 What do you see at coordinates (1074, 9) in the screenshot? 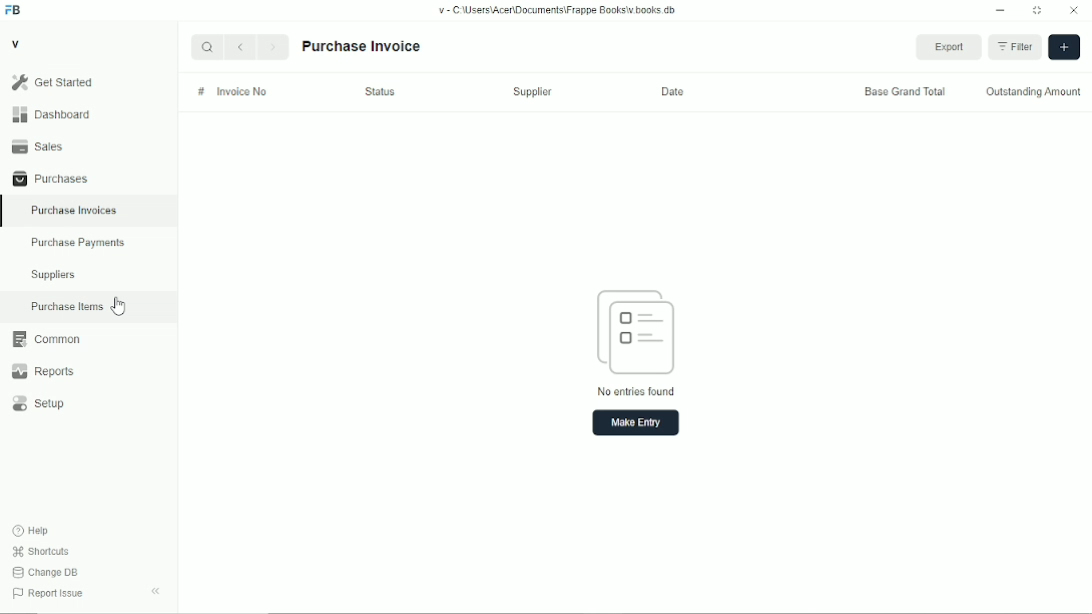
I see `Close` at bounding box center [1074, 9].